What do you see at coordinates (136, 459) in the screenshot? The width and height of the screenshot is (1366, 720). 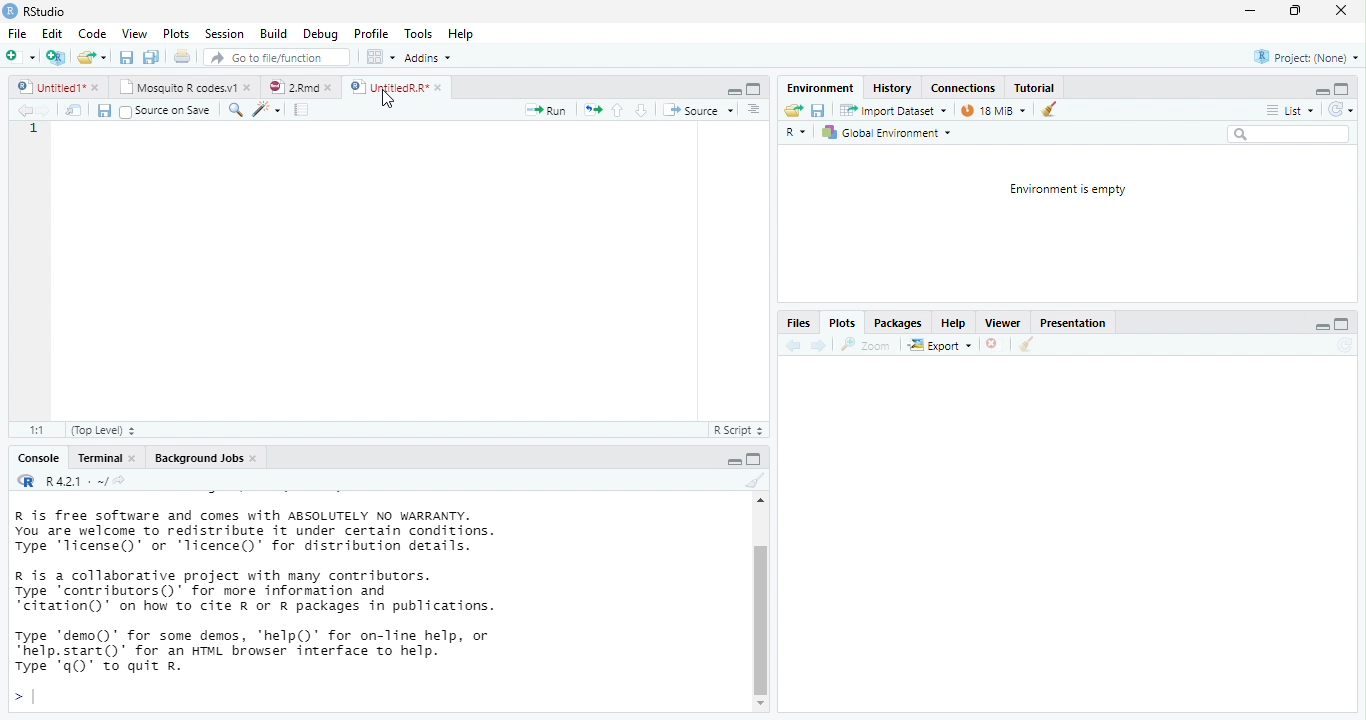 I see `close` at bounding box center [136, 459].